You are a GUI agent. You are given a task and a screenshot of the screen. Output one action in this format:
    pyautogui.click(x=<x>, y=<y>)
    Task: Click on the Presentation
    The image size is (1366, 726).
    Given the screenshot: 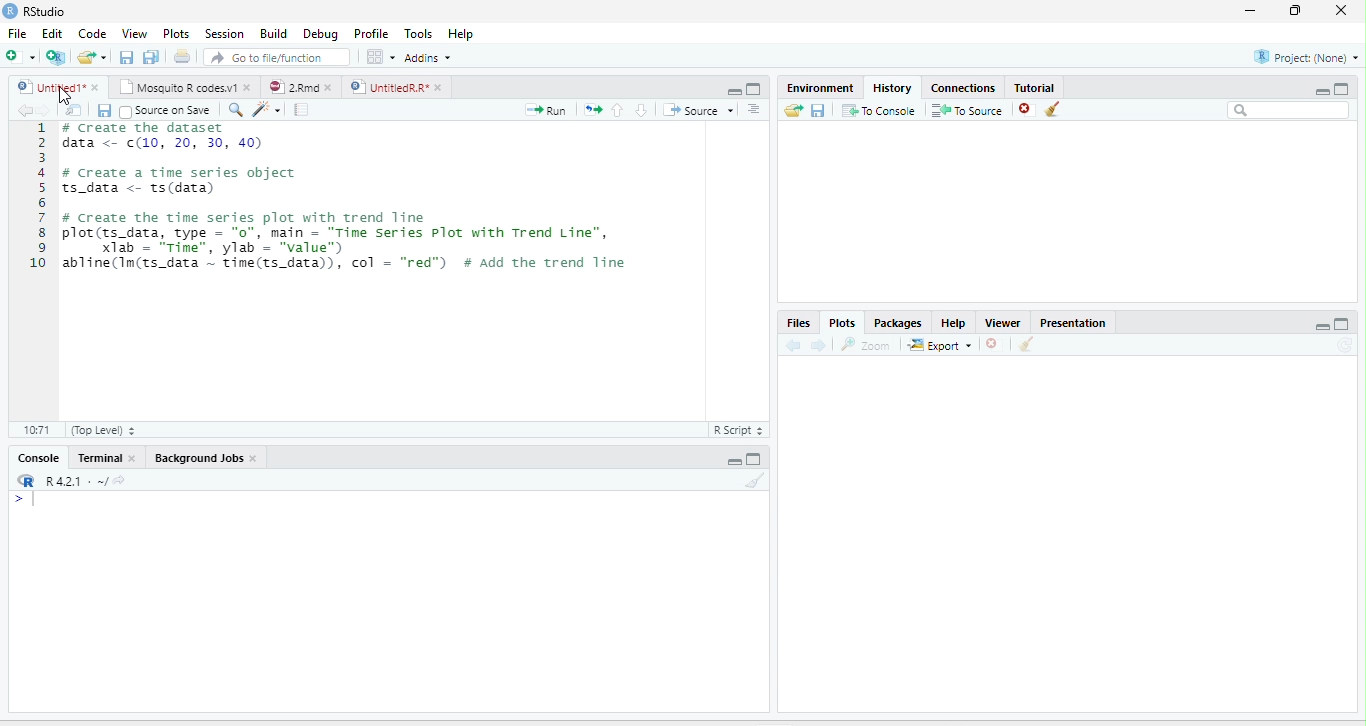 What is the action you would take?
    pyautogui.click(x=1073, y=321)
    